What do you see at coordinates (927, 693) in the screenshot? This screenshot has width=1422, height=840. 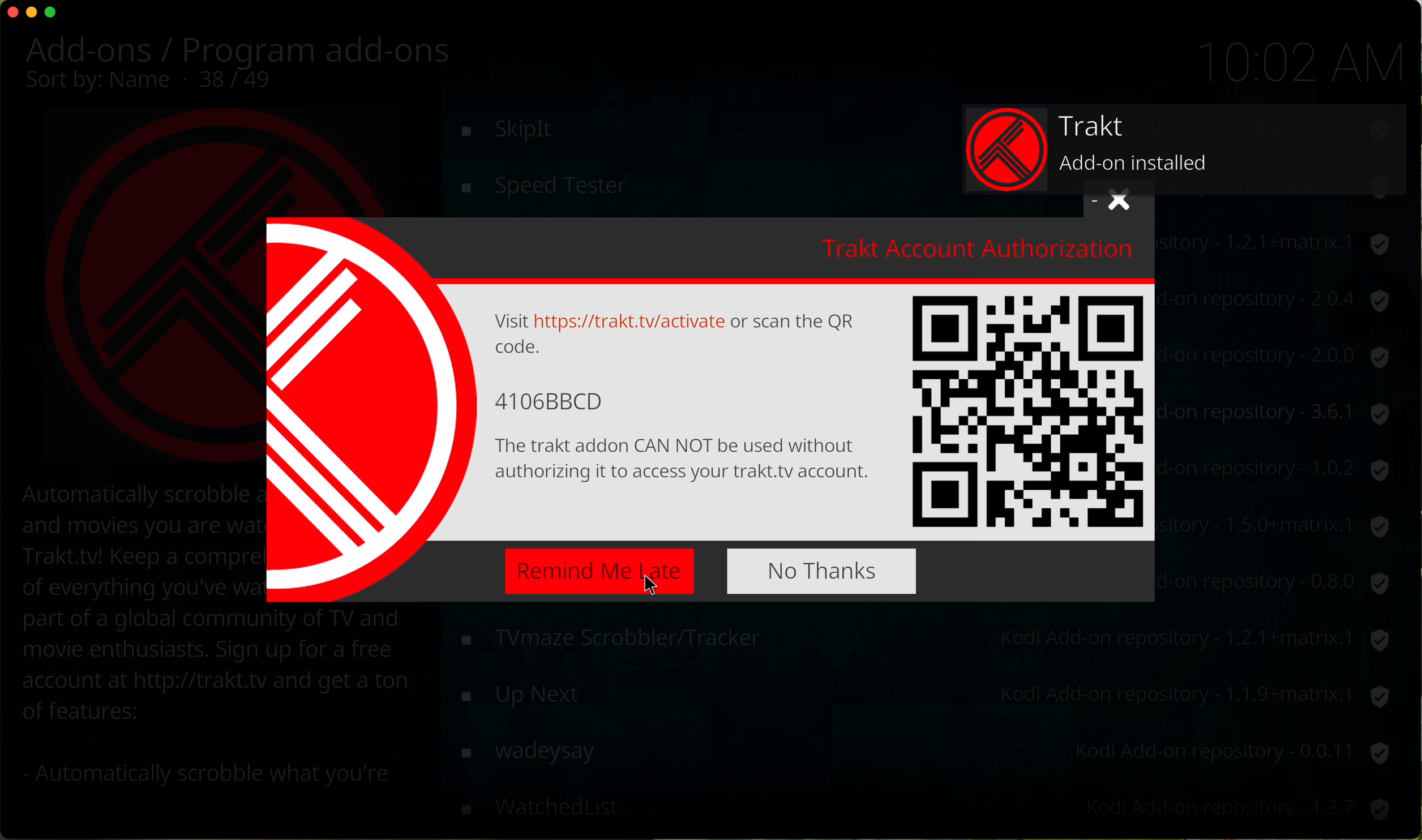 I see `where are you` at bounding box center [927, 693].